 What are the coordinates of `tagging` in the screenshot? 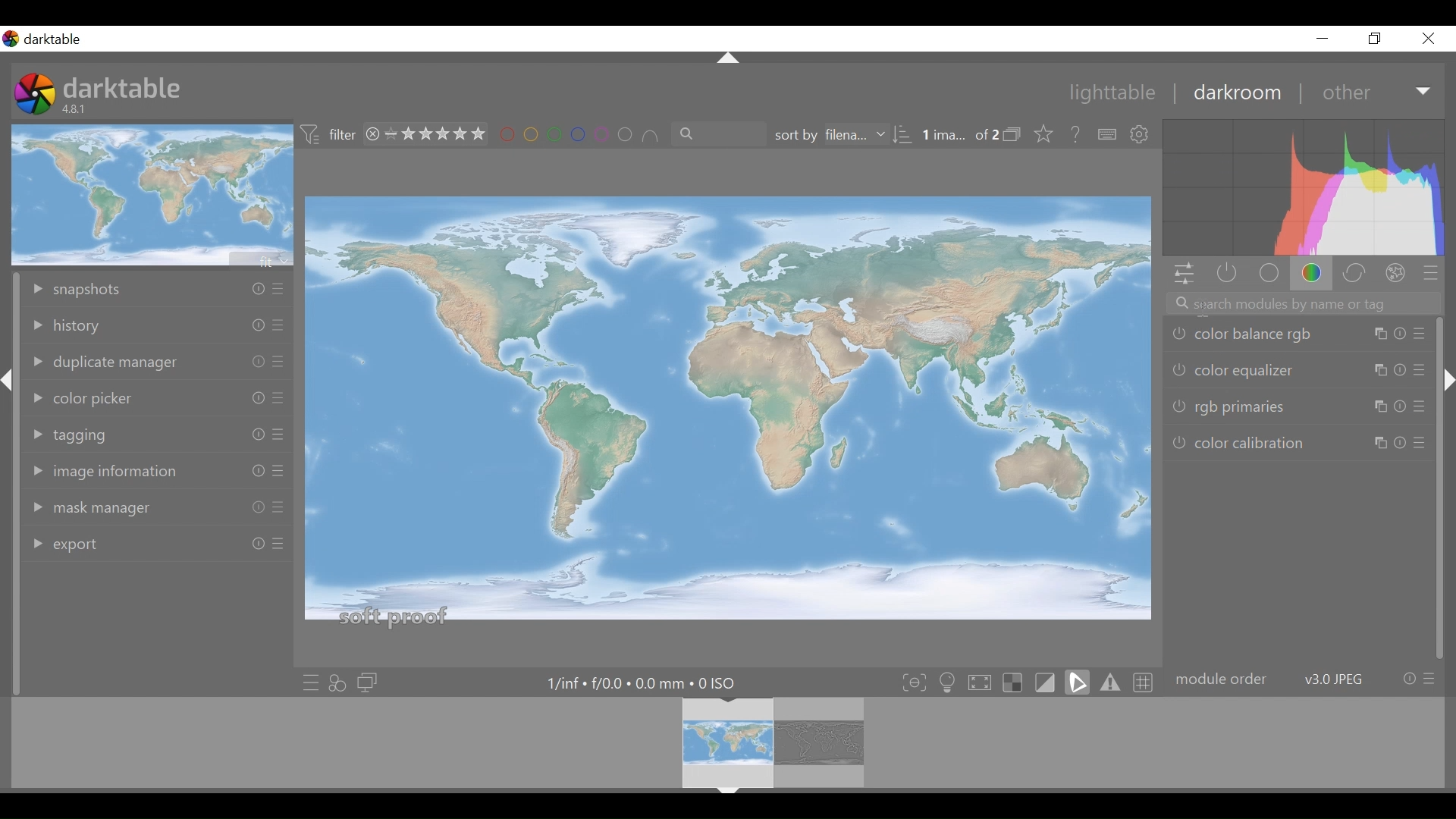 It's located at (157, 431).